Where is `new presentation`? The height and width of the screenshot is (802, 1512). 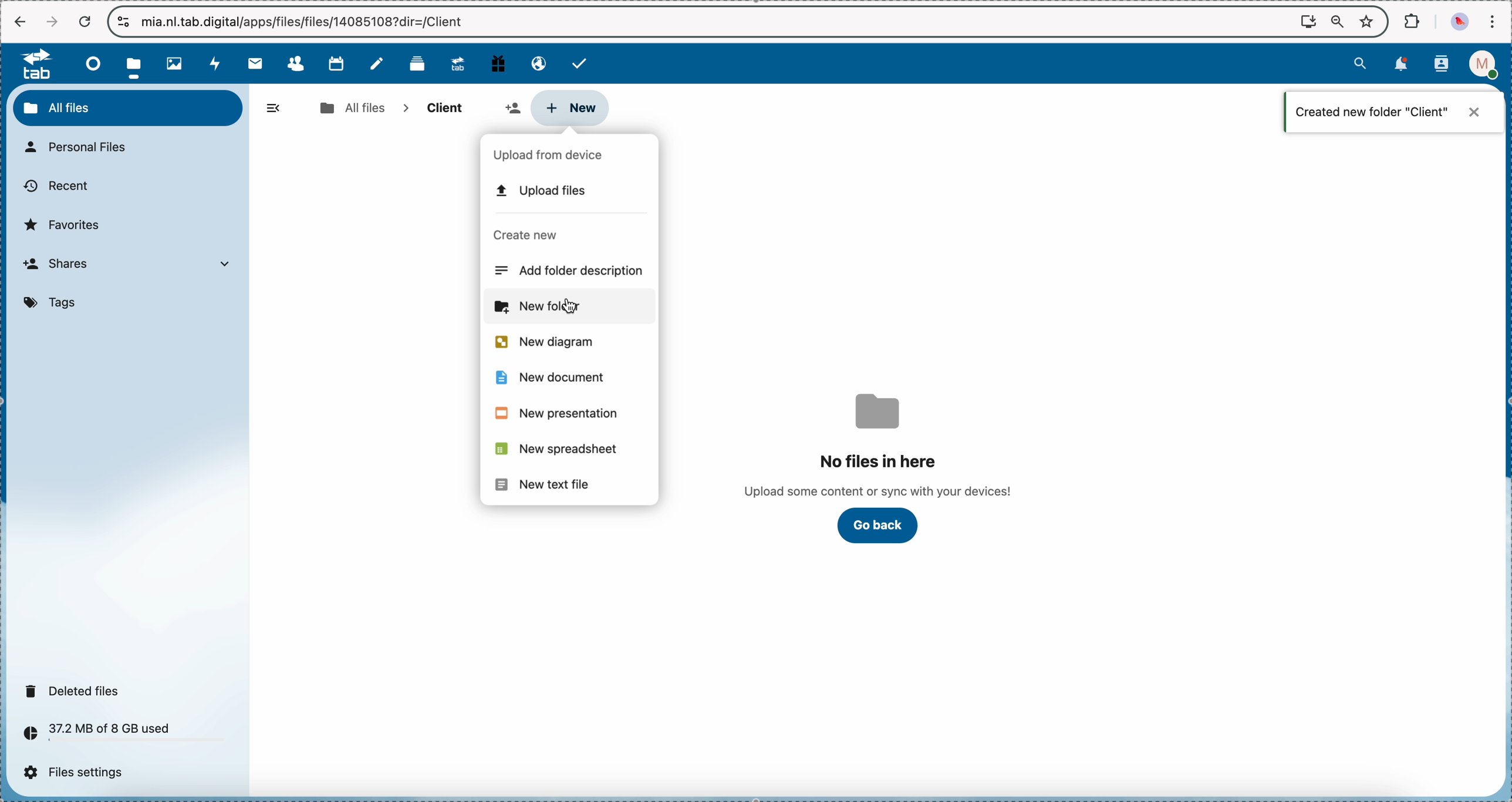 new presentation is located at coordinates (556, 415).